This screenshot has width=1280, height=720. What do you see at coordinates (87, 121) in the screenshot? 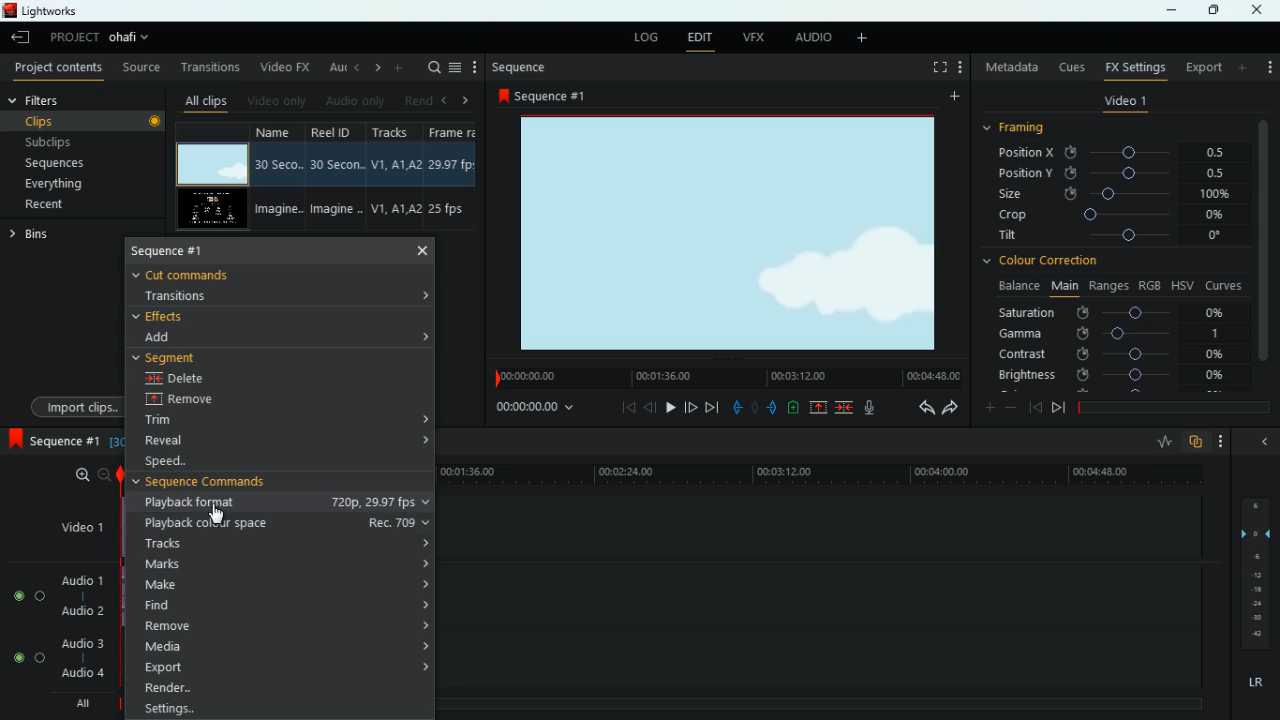
I see `clips` at bounding box center [87, 121].